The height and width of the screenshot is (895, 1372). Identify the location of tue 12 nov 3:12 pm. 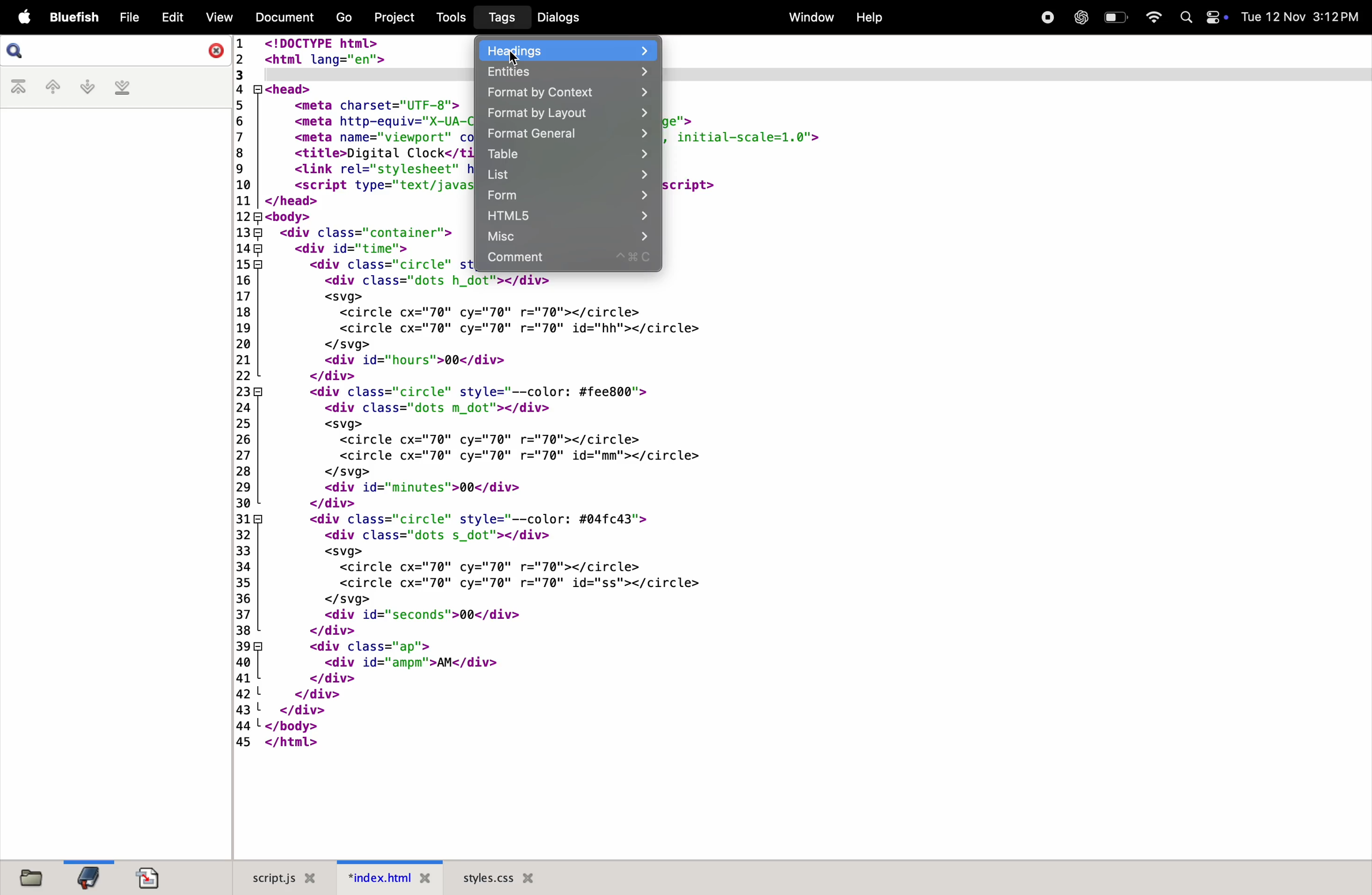
(1301, 17).